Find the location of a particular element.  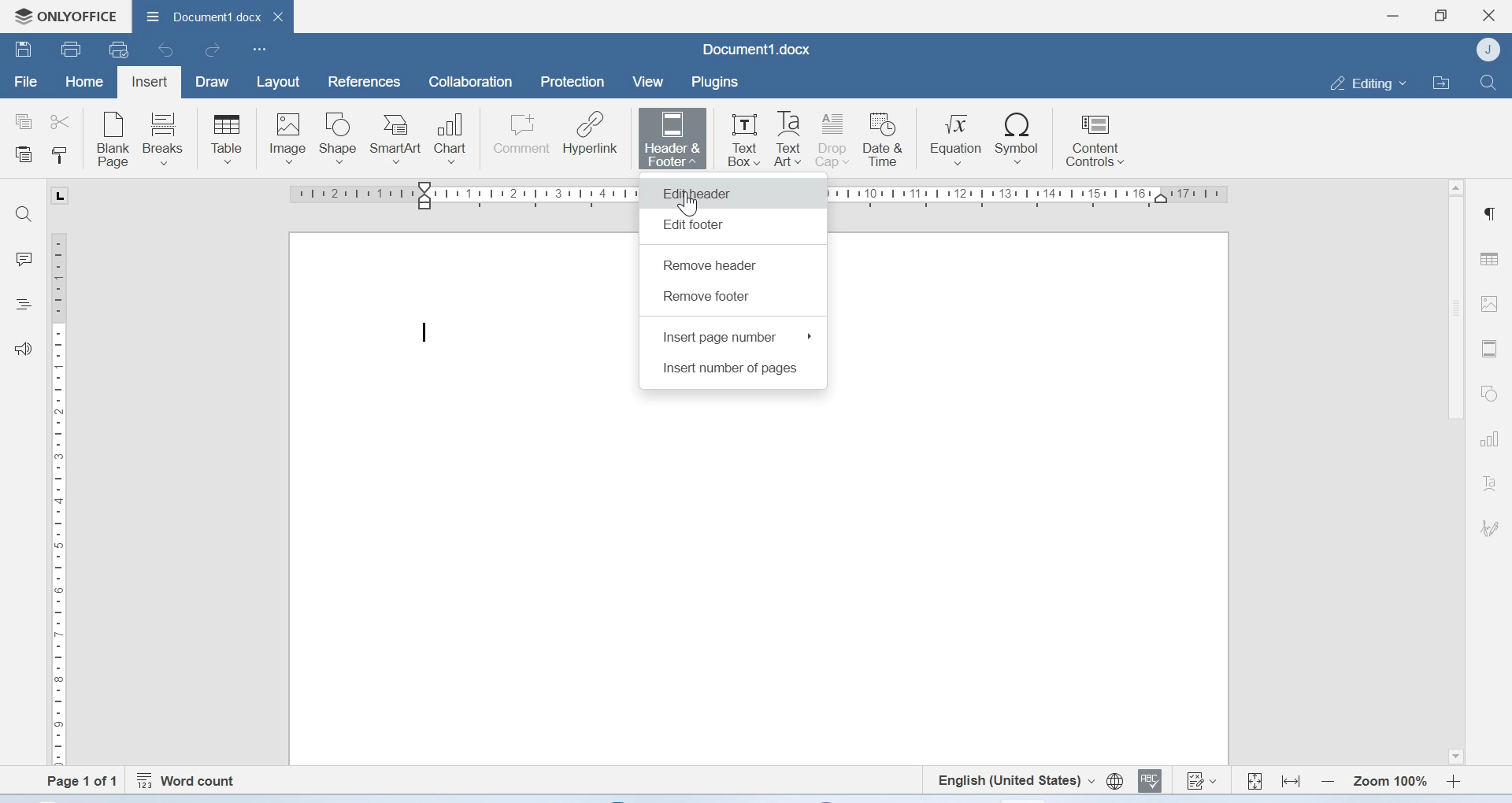

Shape is located at coordinates (340, 138).